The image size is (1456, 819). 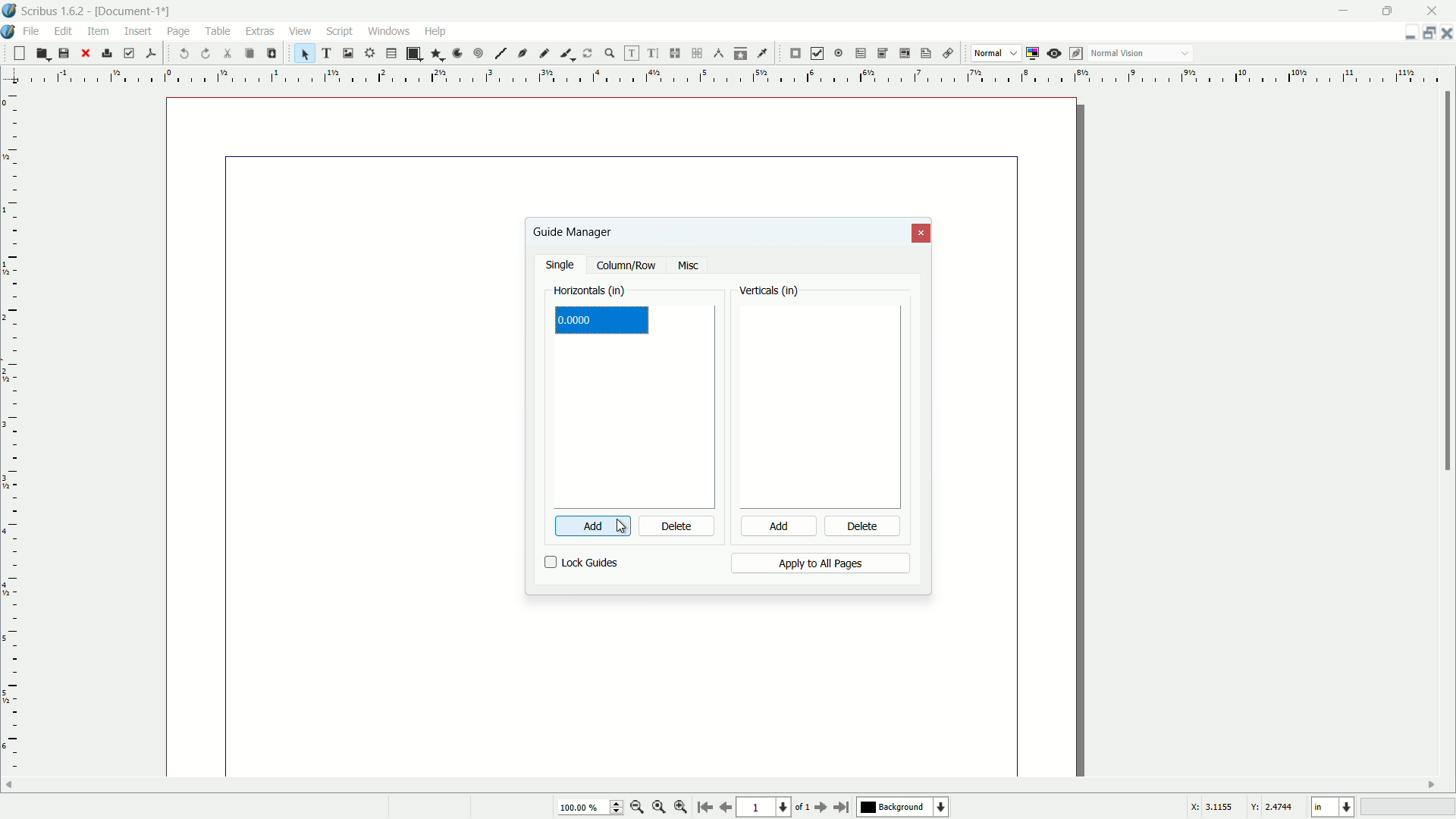 I want to click on pdf push button, so click(x=795, y=54).